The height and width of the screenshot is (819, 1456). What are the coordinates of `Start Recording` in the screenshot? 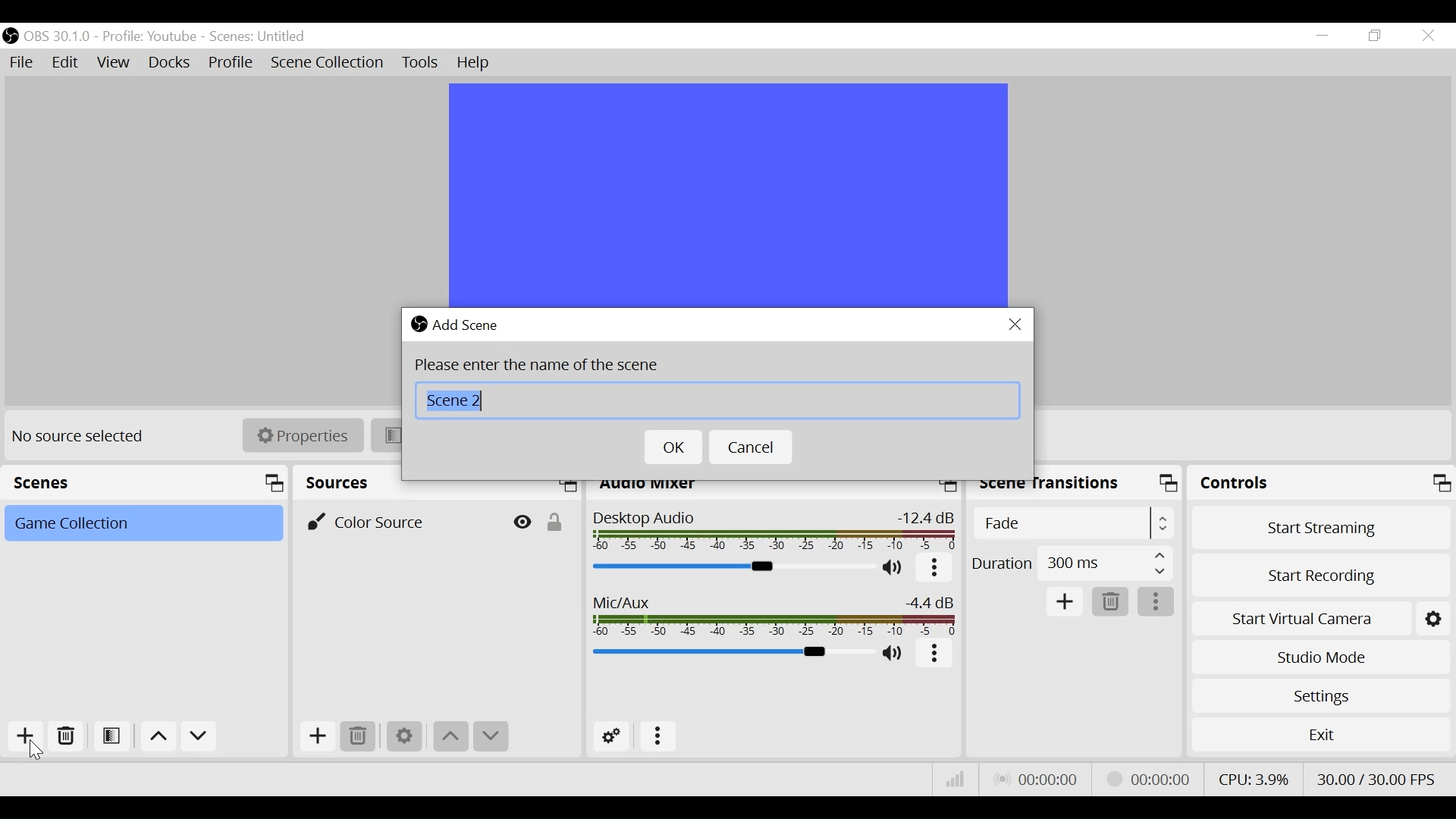 It's located at (1321, 573).